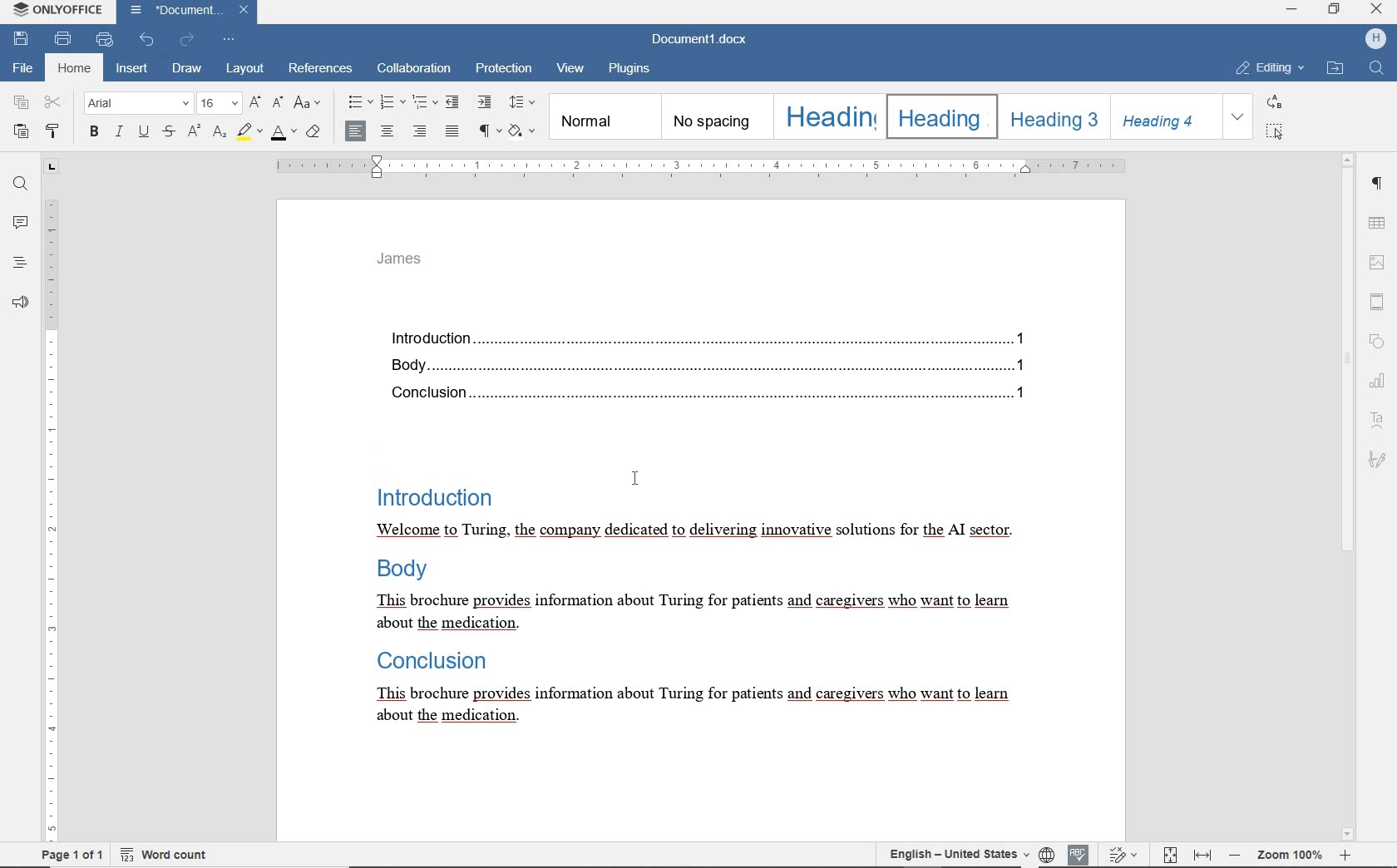  I want to click on Introduction.......................................................................................................................................1, so click(712, 338).